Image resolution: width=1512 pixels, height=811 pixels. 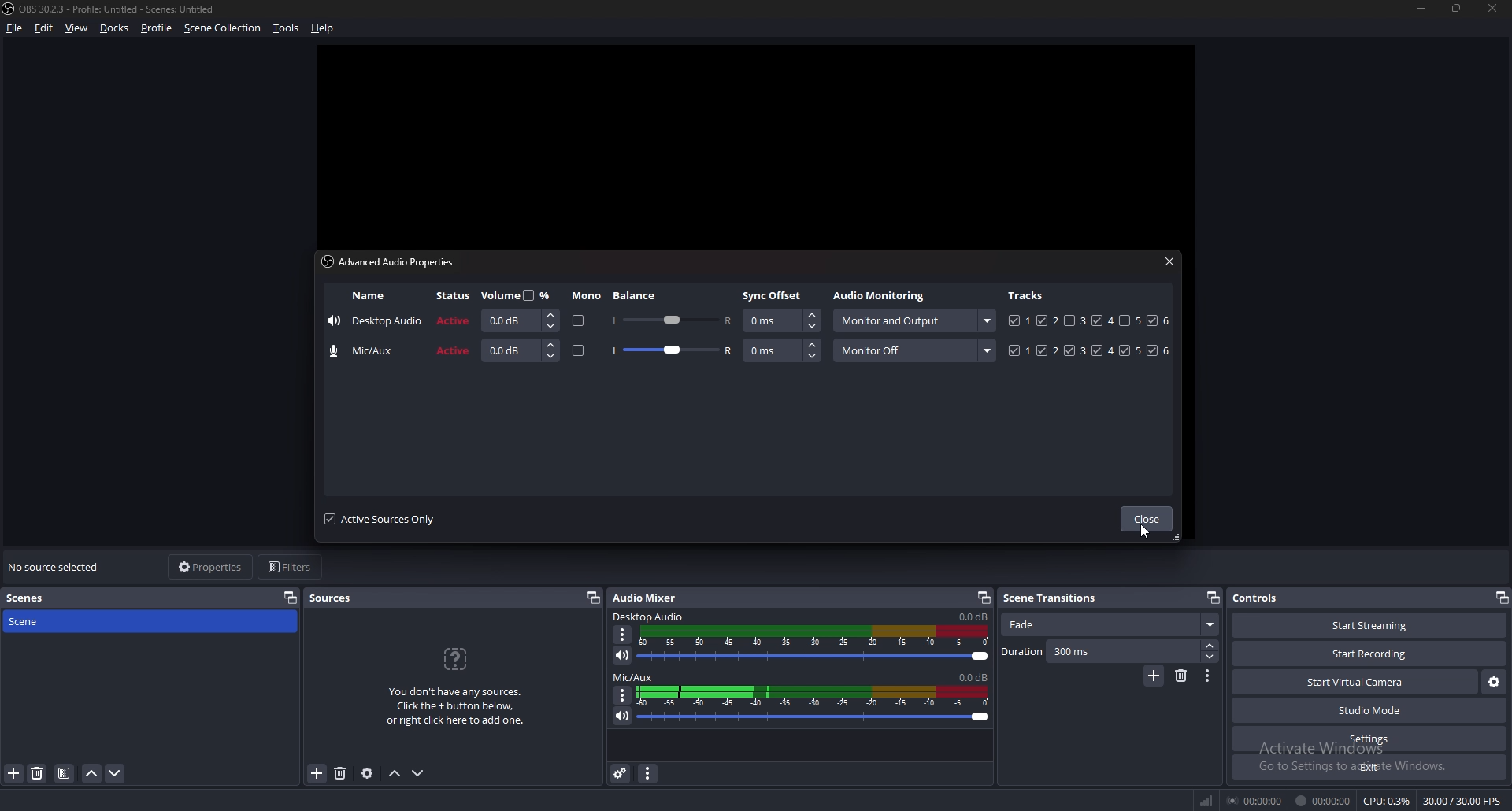 What do you see at coordinates (1354, 683) in the screenshot?
I see `start virtual camera` at bounding box center [1354, 683].